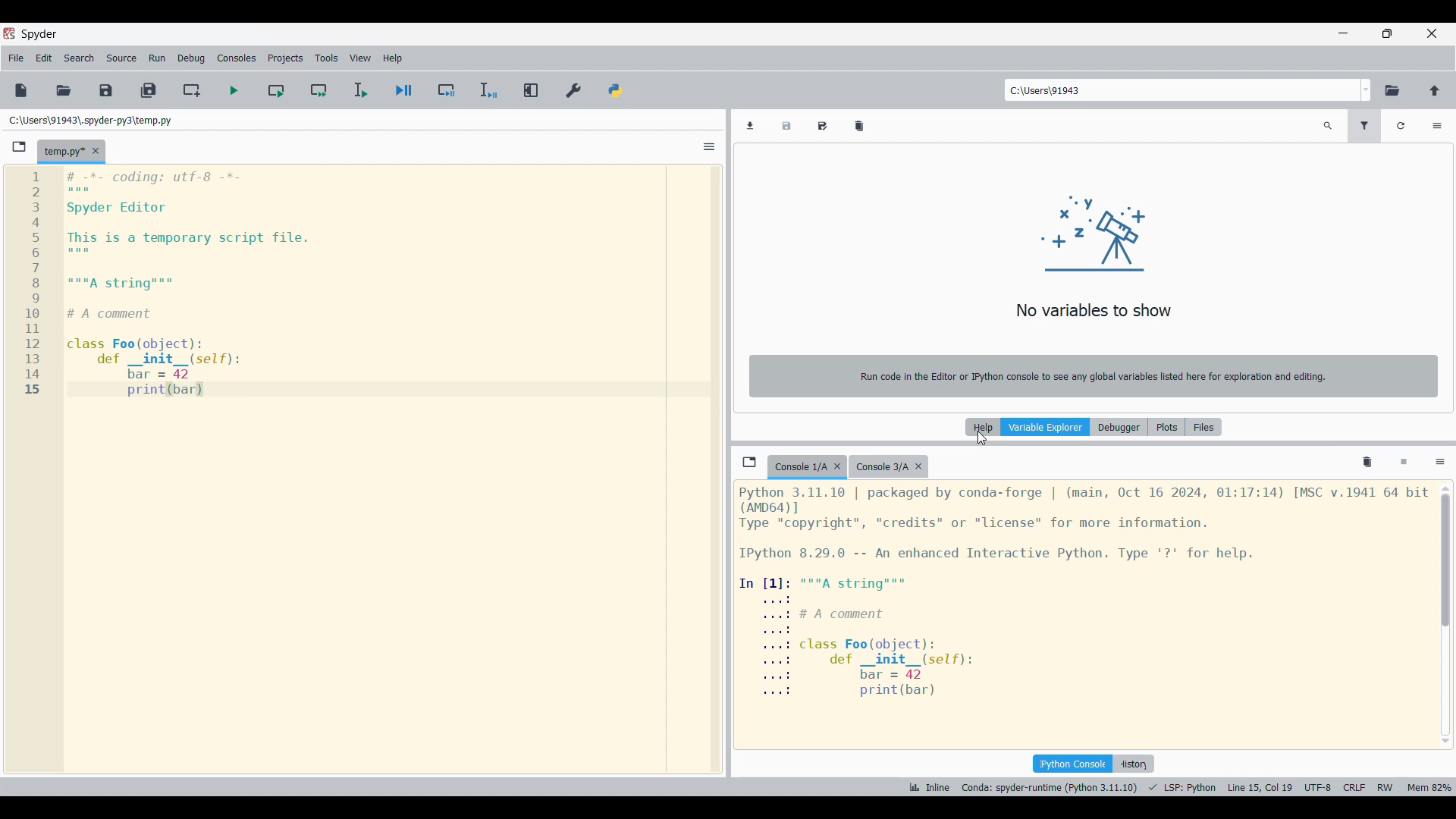  I want to click on Debugger, so click(1119, 427).